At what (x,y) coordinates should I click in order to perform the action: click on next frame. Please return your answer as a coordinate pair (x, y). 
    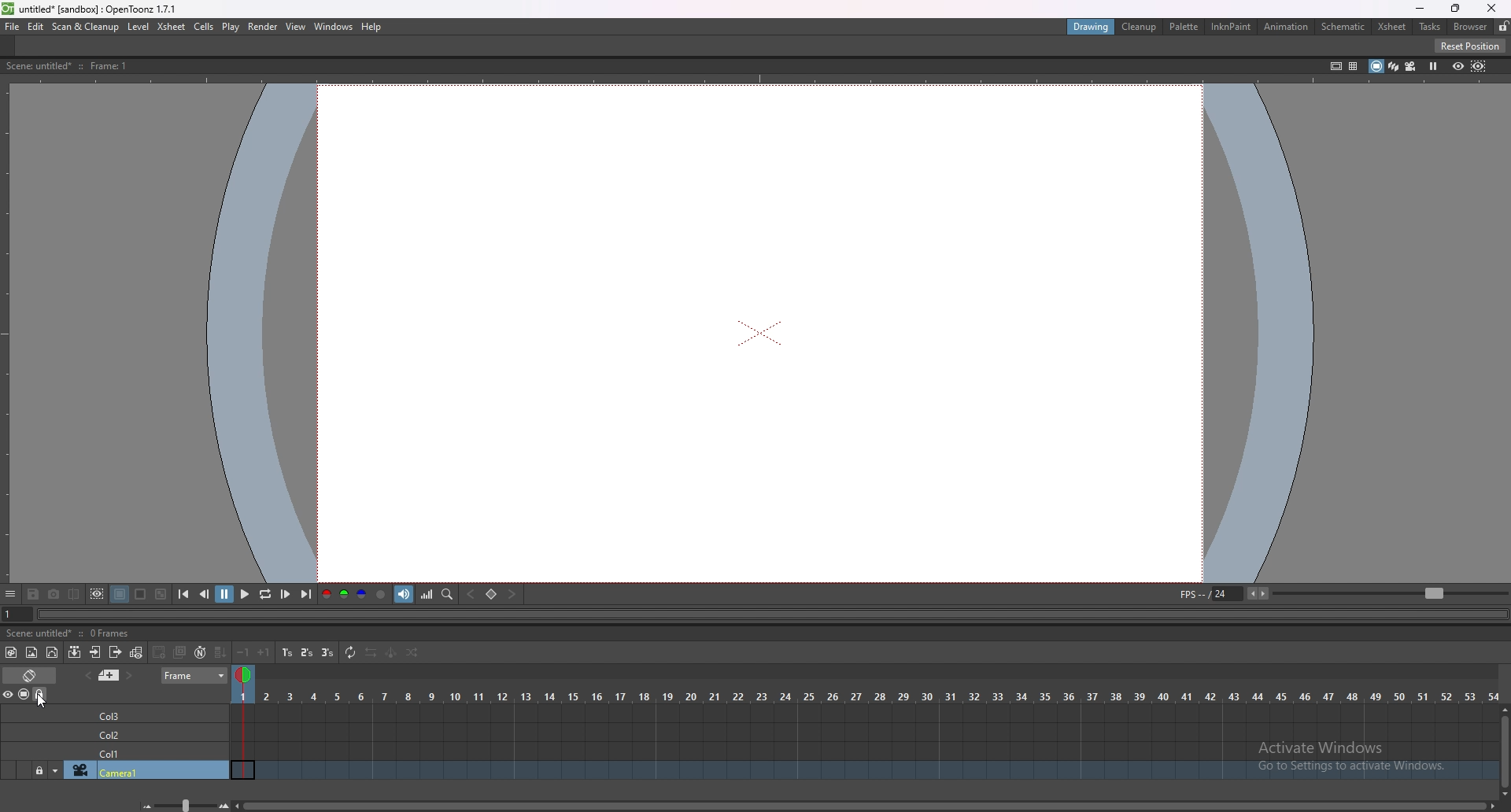
    Looking at the image, I should click on (285, 594).